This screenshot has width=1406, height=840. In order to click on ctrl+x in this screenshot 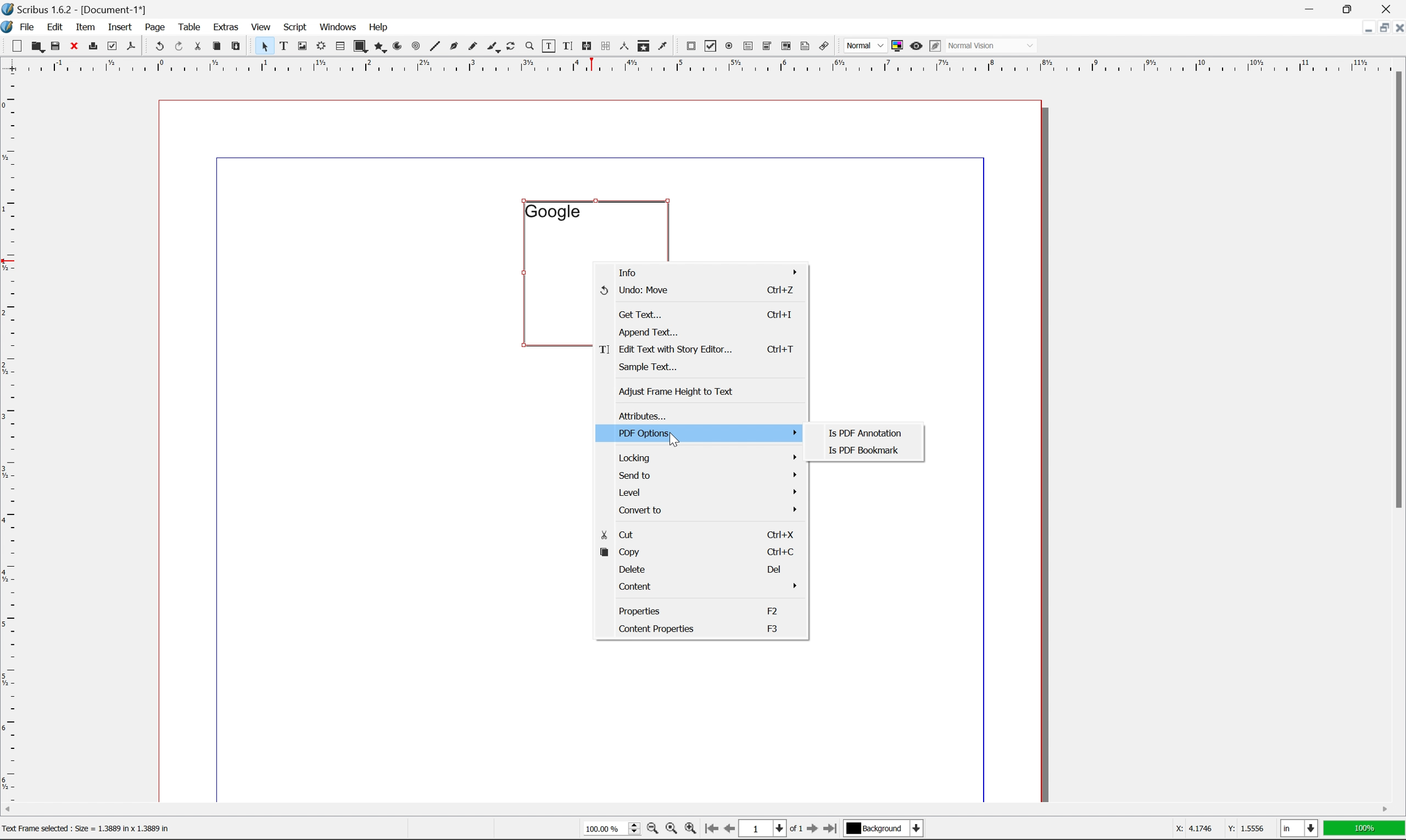, I will do `click(780, 533)`.